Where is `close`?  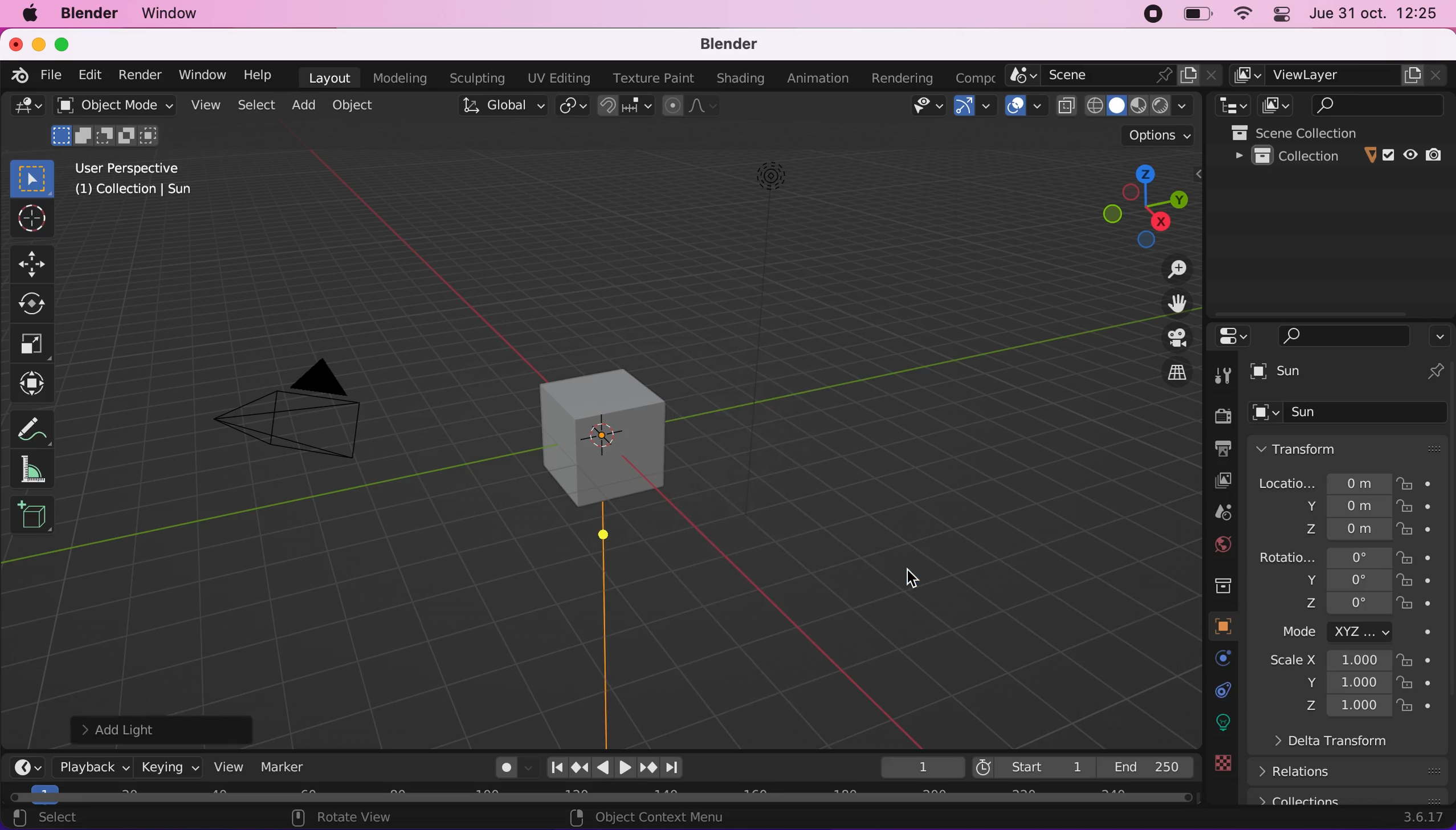 close is located at coordinates (15, 45).